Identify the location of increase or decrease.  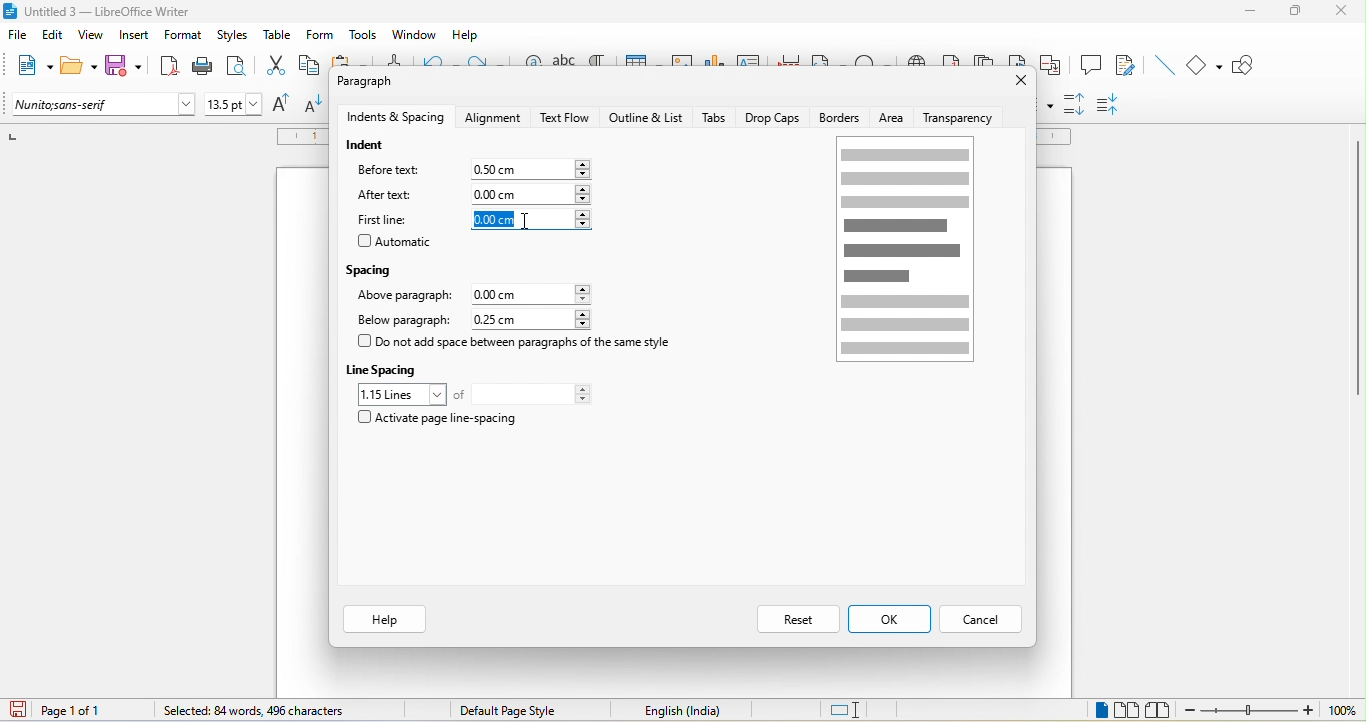
(583, 220).